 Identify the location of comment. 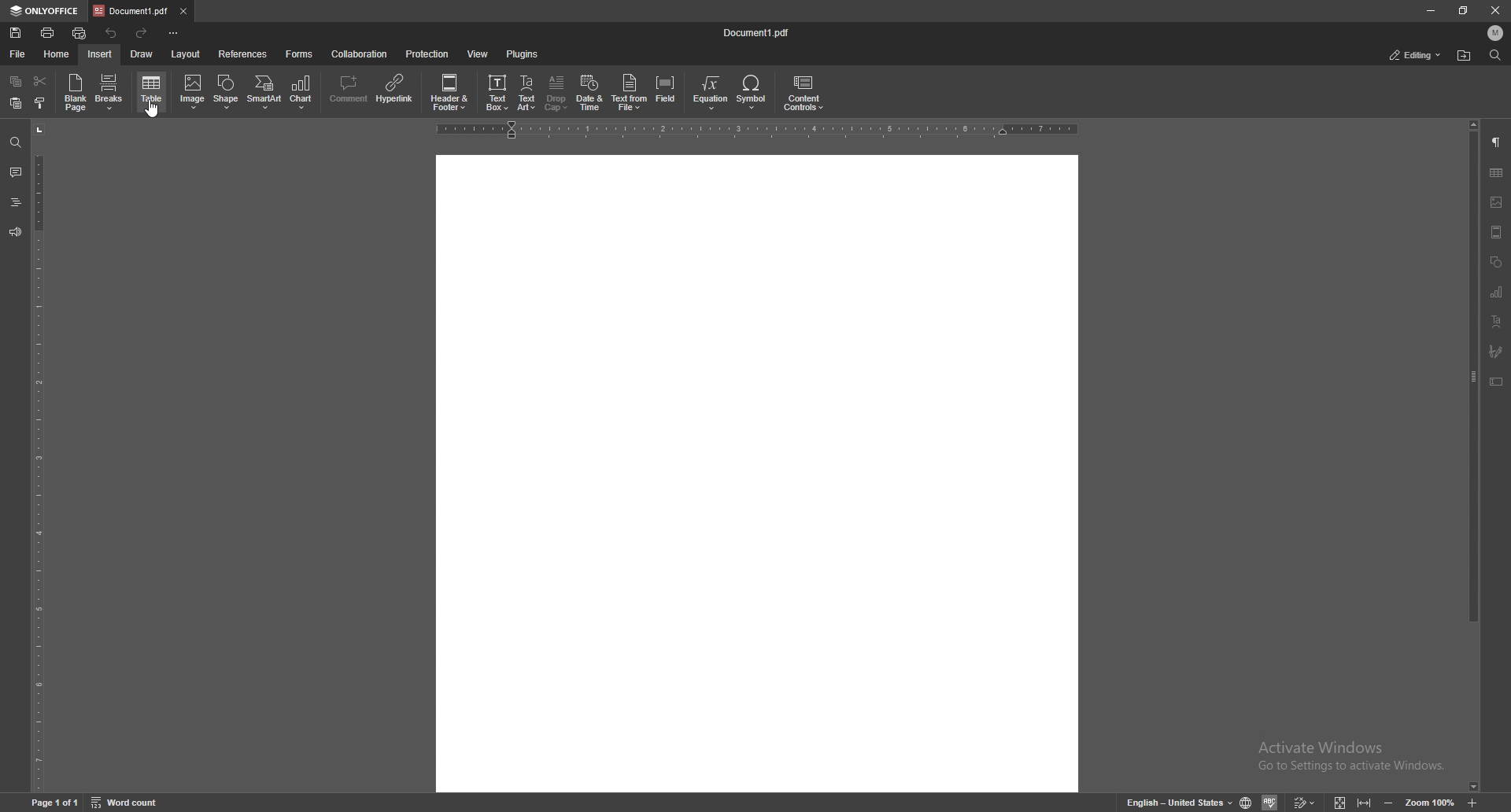
(16, 172).